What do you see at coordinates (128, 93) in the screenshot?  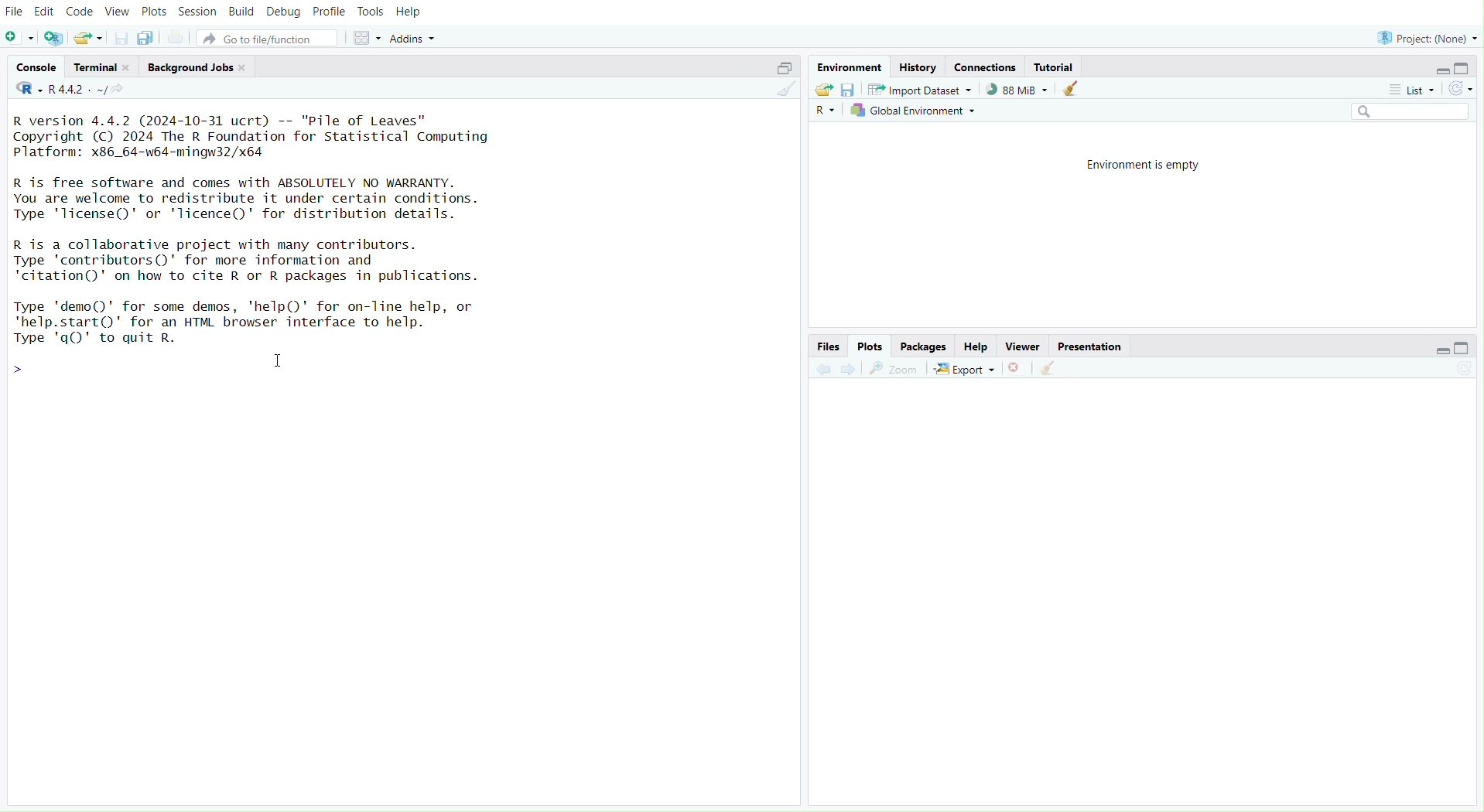 I see `View the current working directory` at bounding box center [128, 93].